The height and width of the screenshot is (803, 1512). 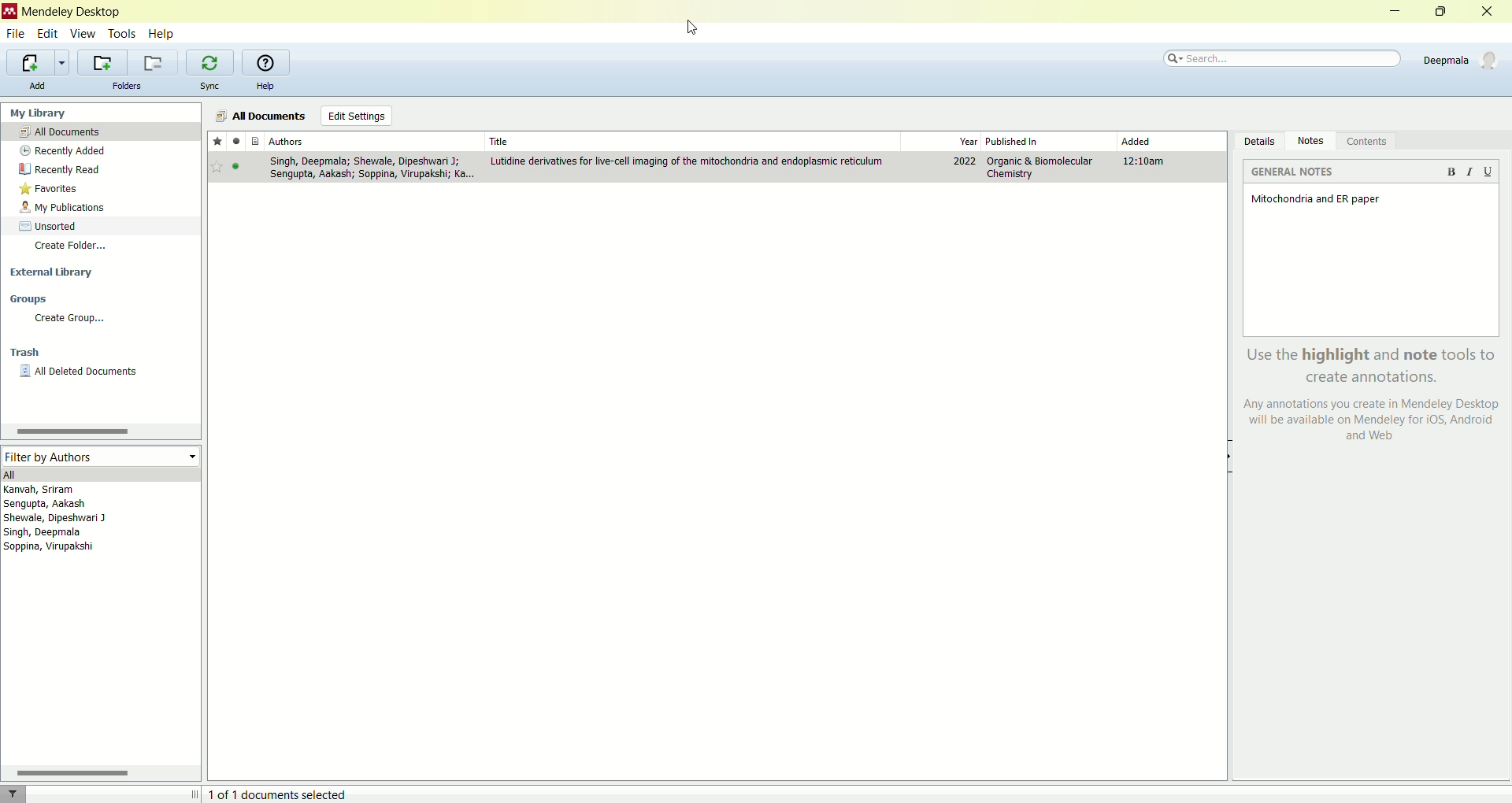 What do you see at coordinates (97, 187) in the screenshot?
I see `favorites` at bounding box center [97, 187].